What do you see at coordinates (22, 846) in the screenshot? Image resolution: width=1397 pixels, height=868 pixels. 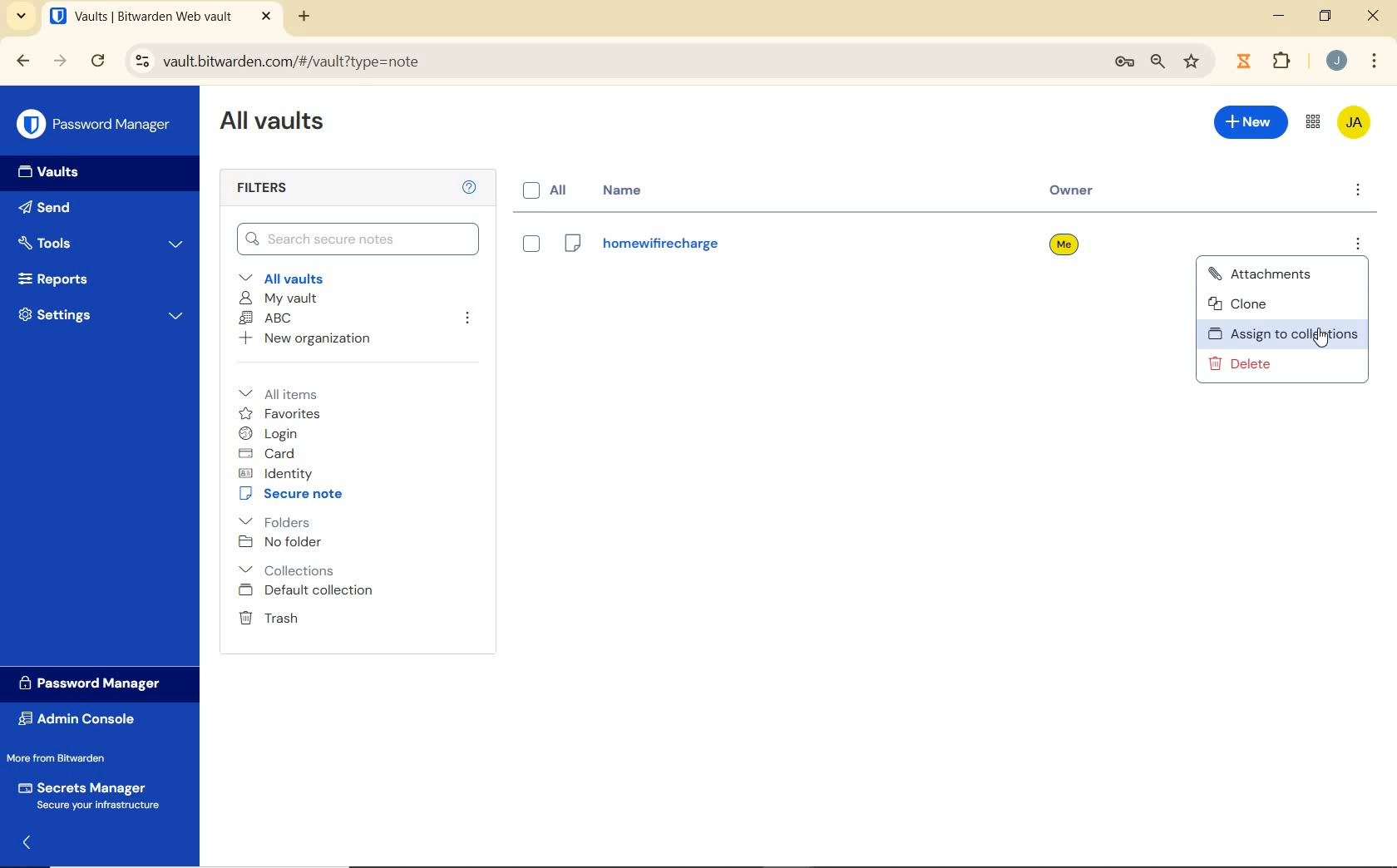 I see `expand/collapse` at bounding box center [22, 846].